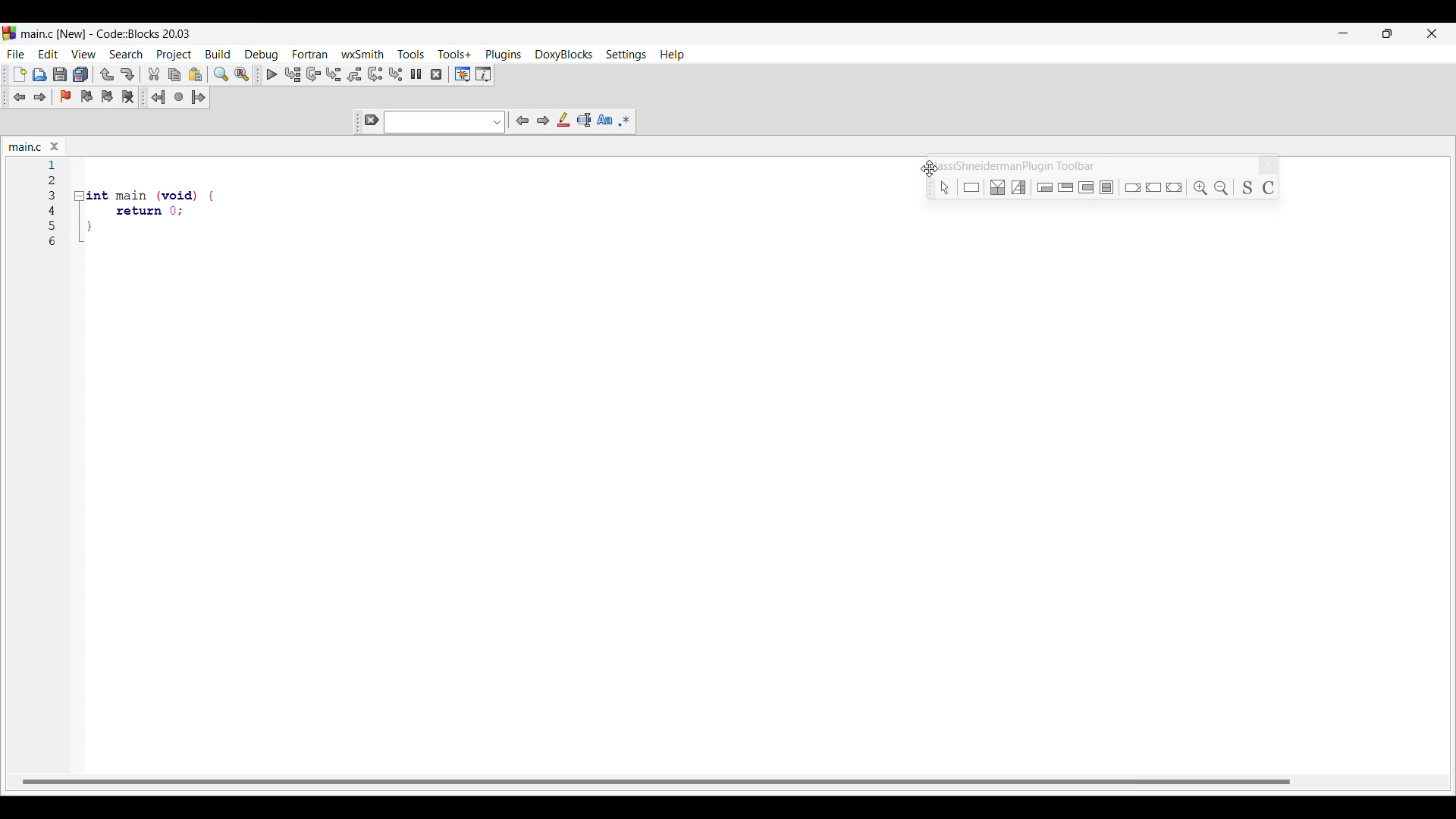 The image size is (1456, 819). I want to click on Undo, so click(107, 74).